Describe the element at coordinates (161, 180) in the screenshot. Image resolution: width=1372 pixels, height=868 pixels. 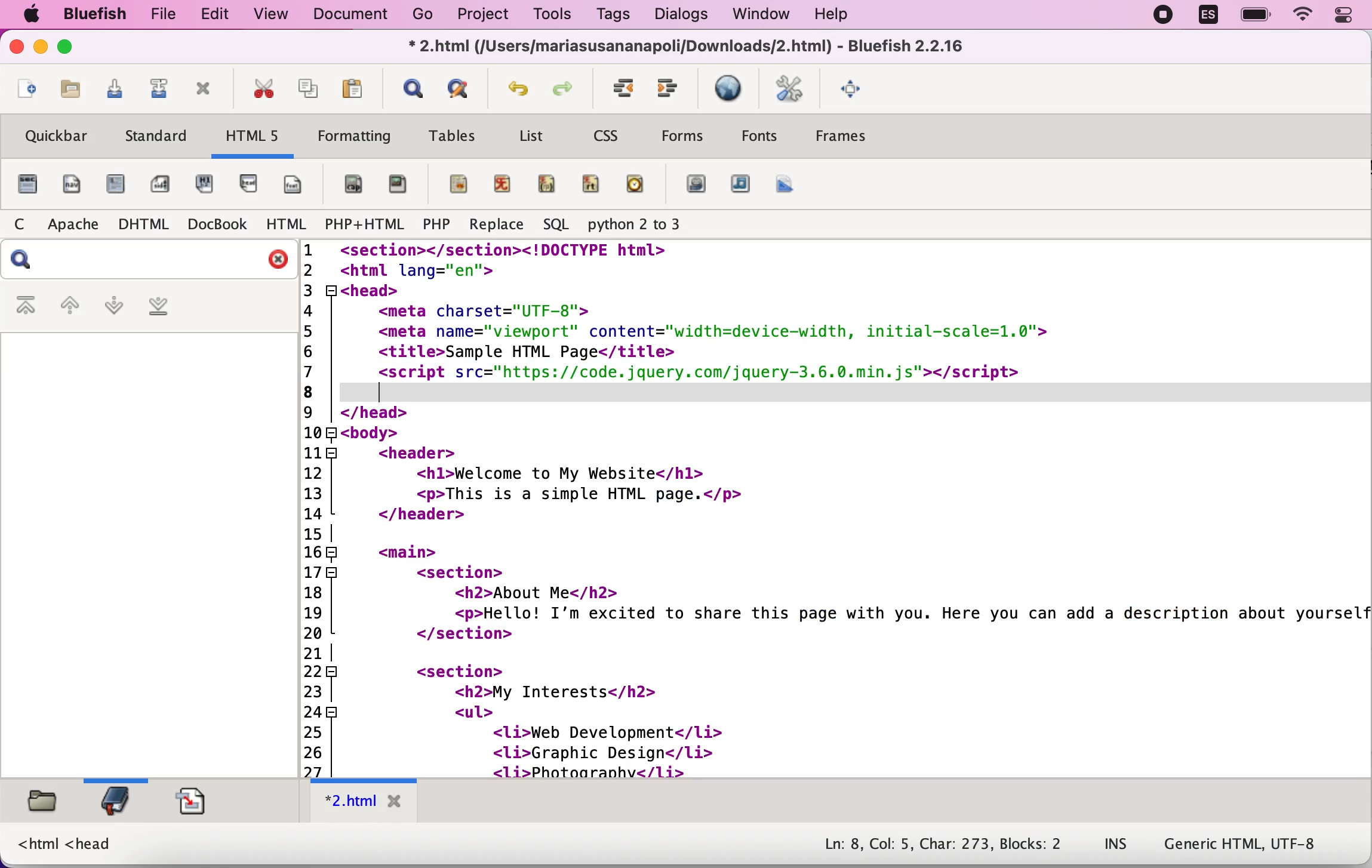
I see `aside` at that location.